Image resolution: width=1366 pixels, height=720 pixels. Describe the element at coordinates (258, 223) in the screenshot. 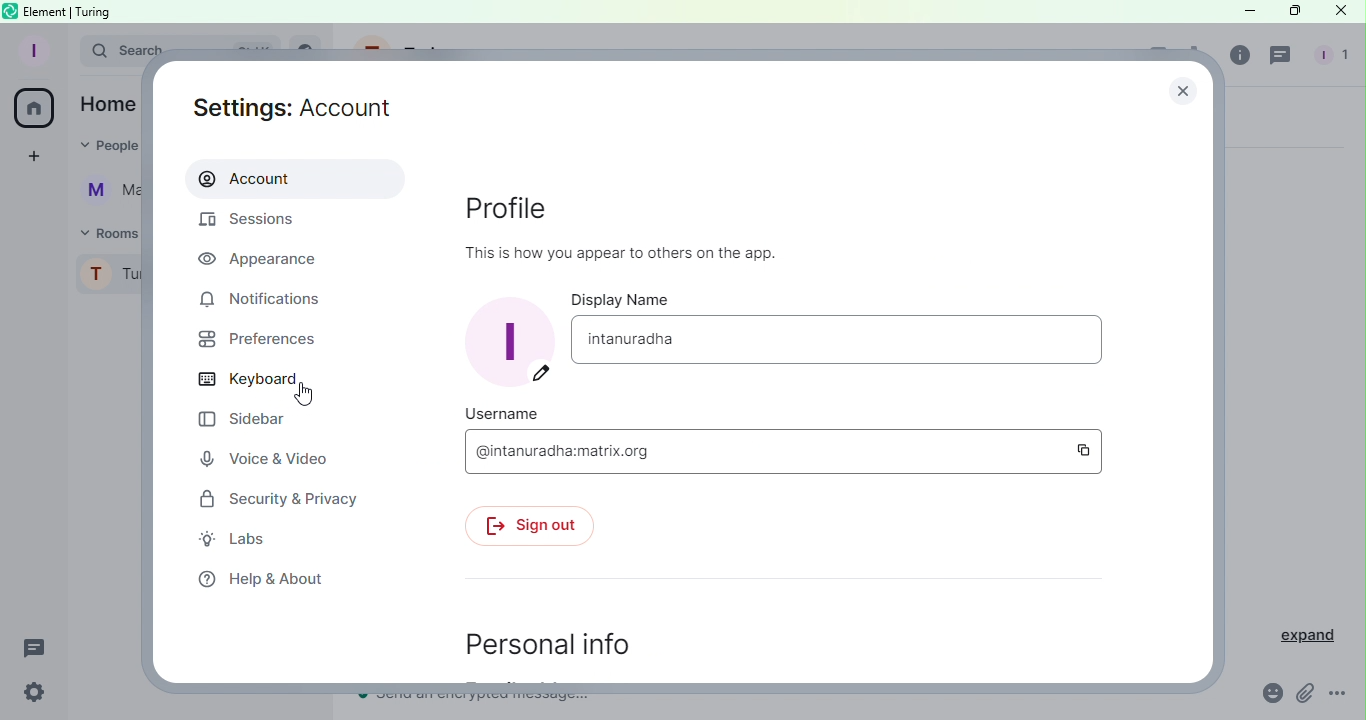

I see `Sessions` at that location.